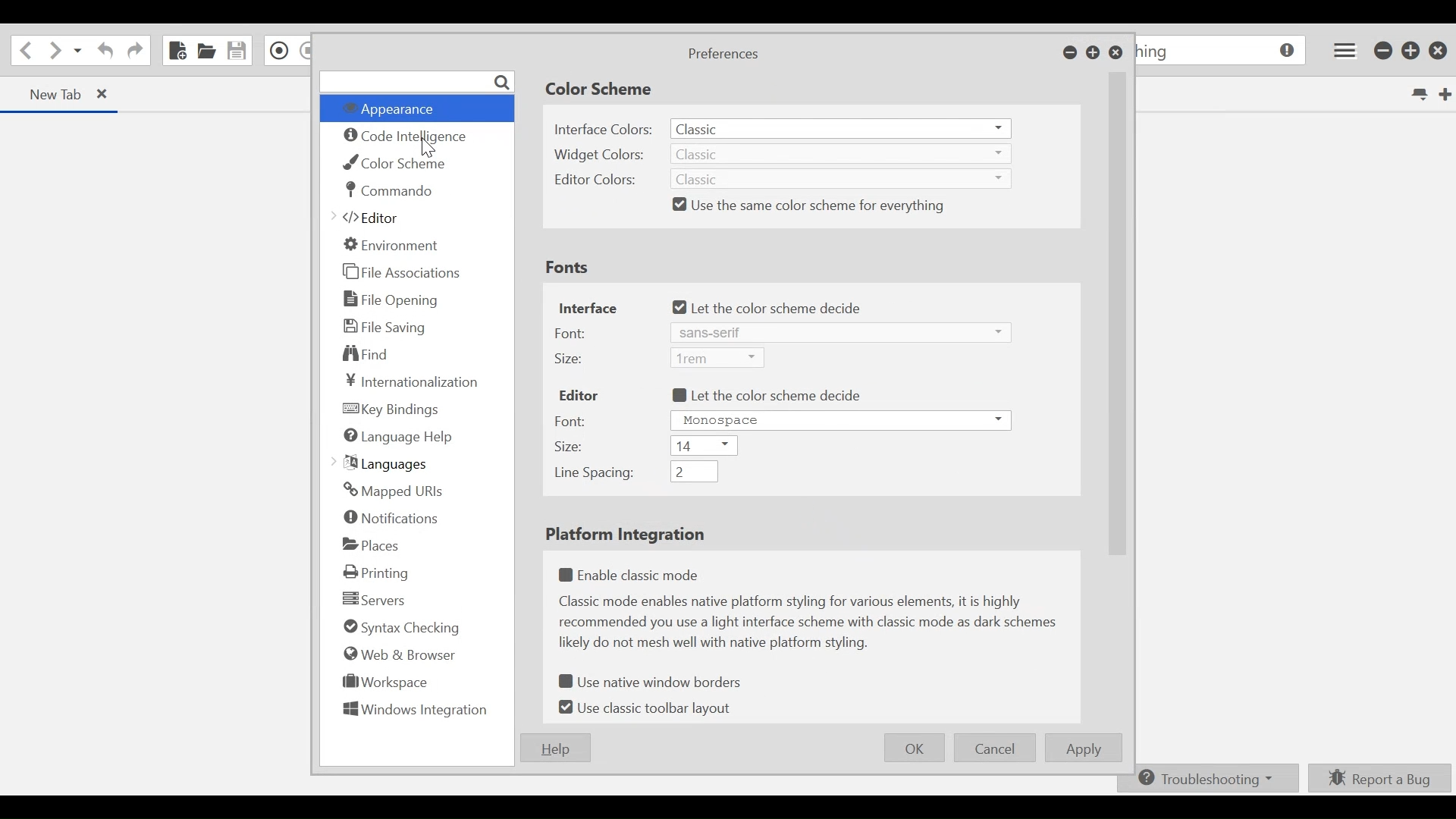 The height and width of the screenshot is (819, 1456). I want to click on Save File, so click(238, 50).